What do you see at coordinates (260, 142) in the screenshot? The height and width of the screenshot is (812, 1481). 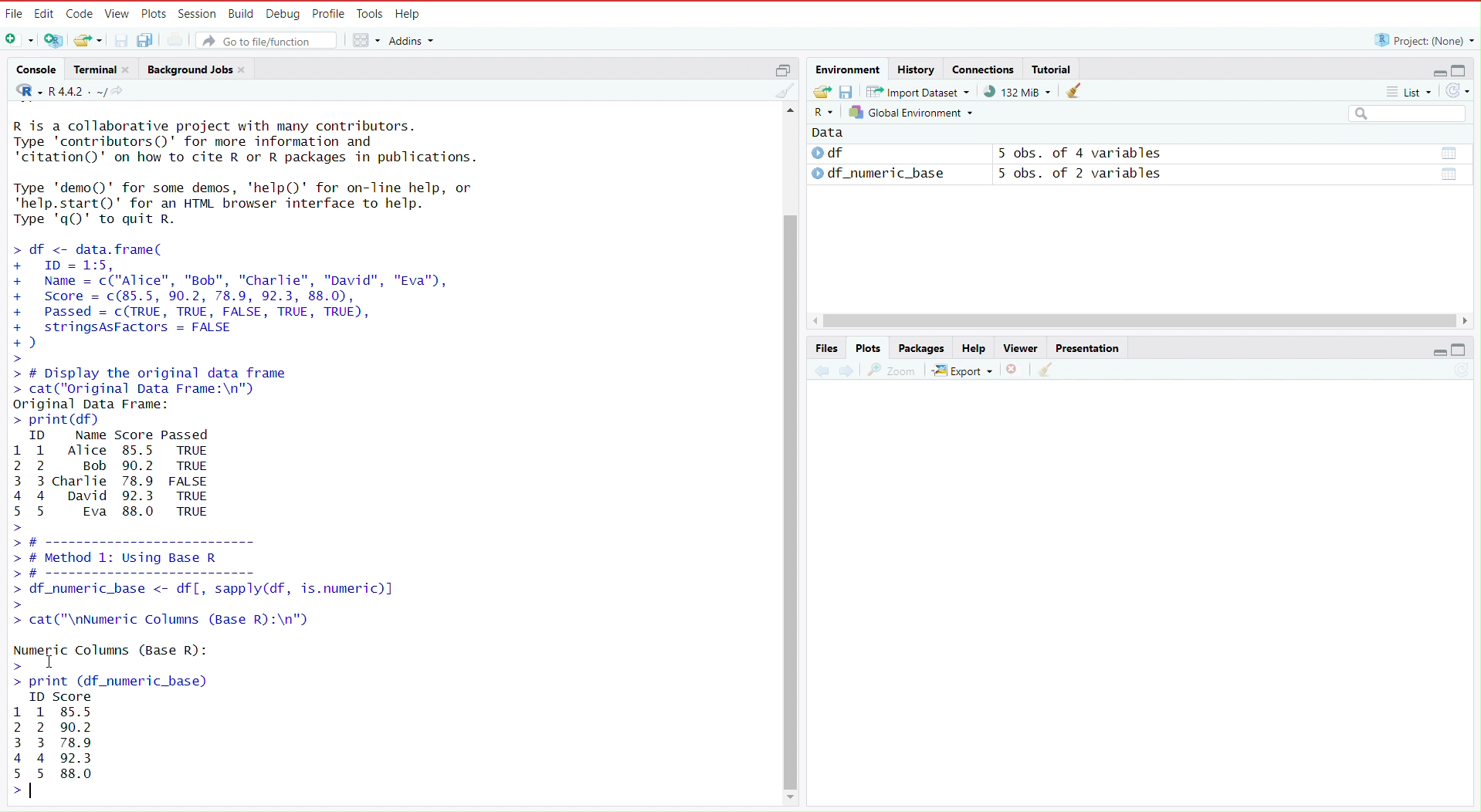 I see `R is a collaborative project with many contributors.
Type 'contributors()' for more information and
'citation()' on how to cite R or R packages in publications.` at bounding box center [260, 142].